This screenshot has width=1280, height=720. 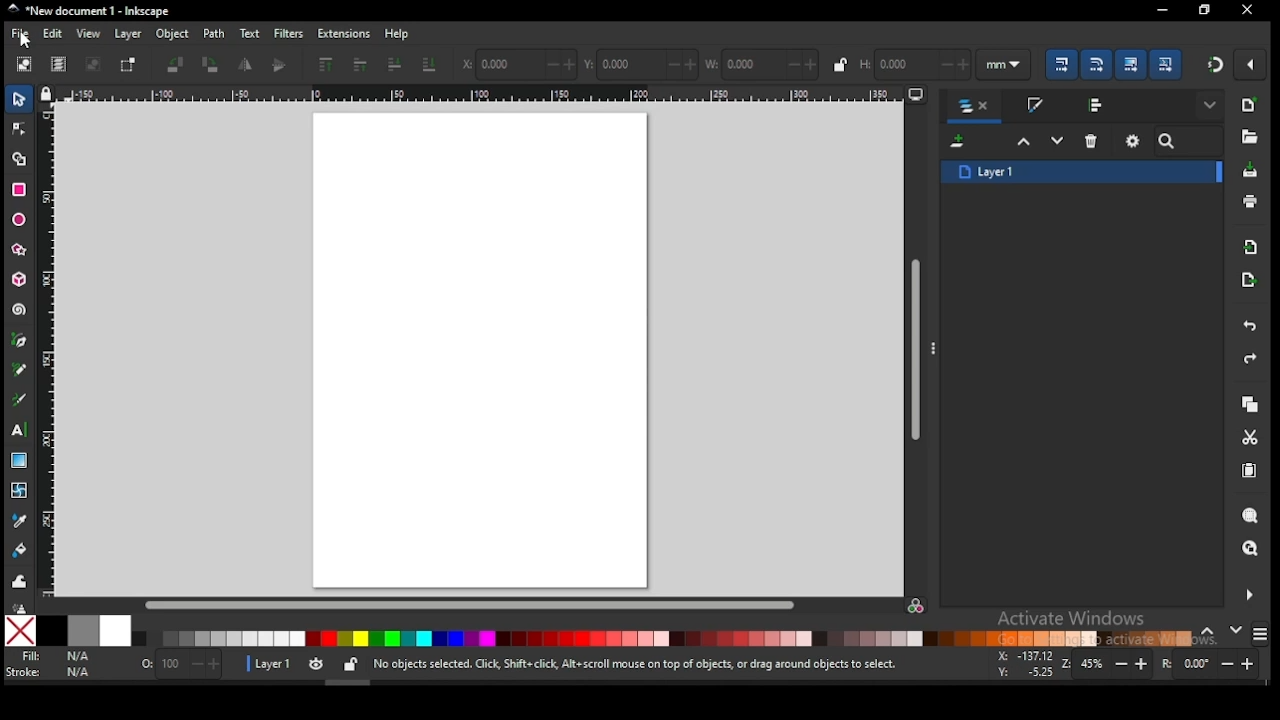 What do you see at coordinates (20, 36) in the screenshot?
I see `file` at bounding box center [20, 36].